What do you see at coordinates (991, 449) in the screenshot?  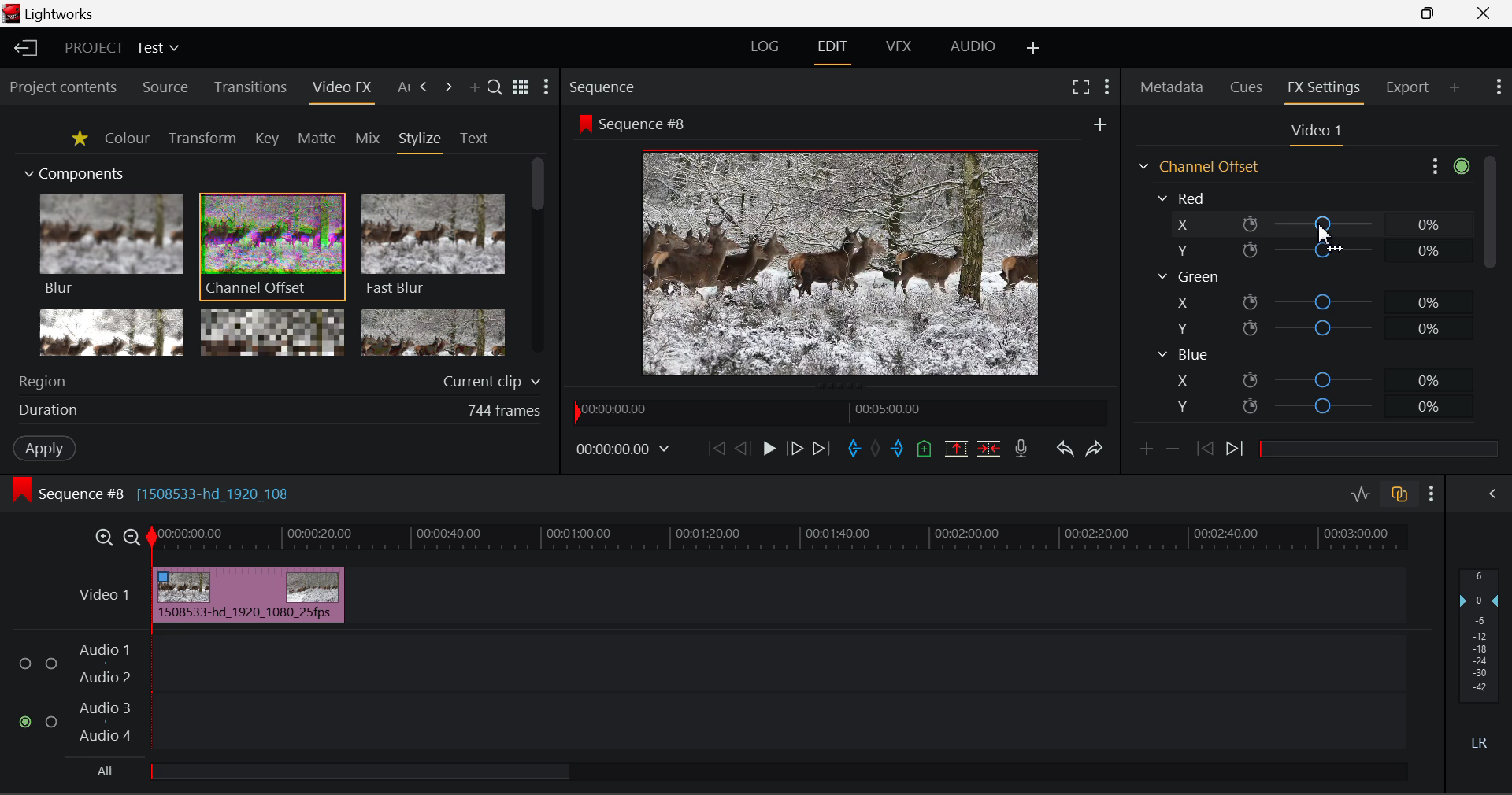 I see `Delete/Cut` at bounding box center [991, 449].